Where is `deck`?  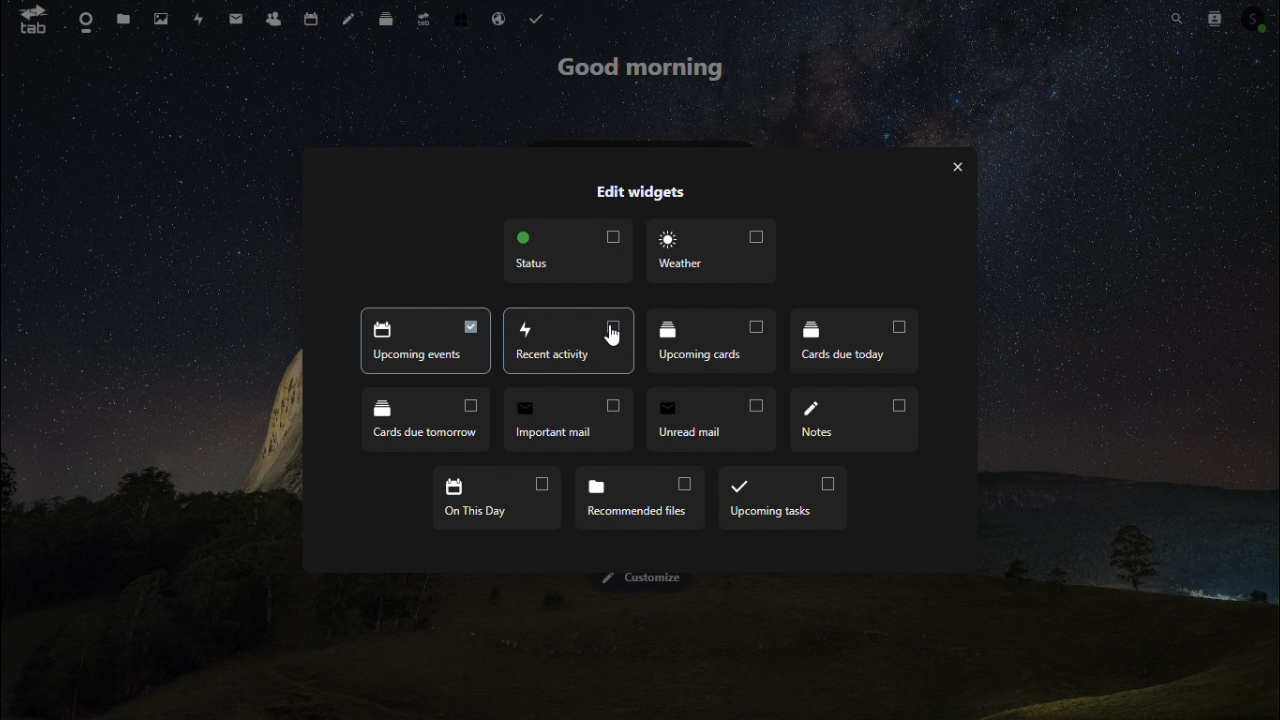 deck is located at coordinates (389, 15).